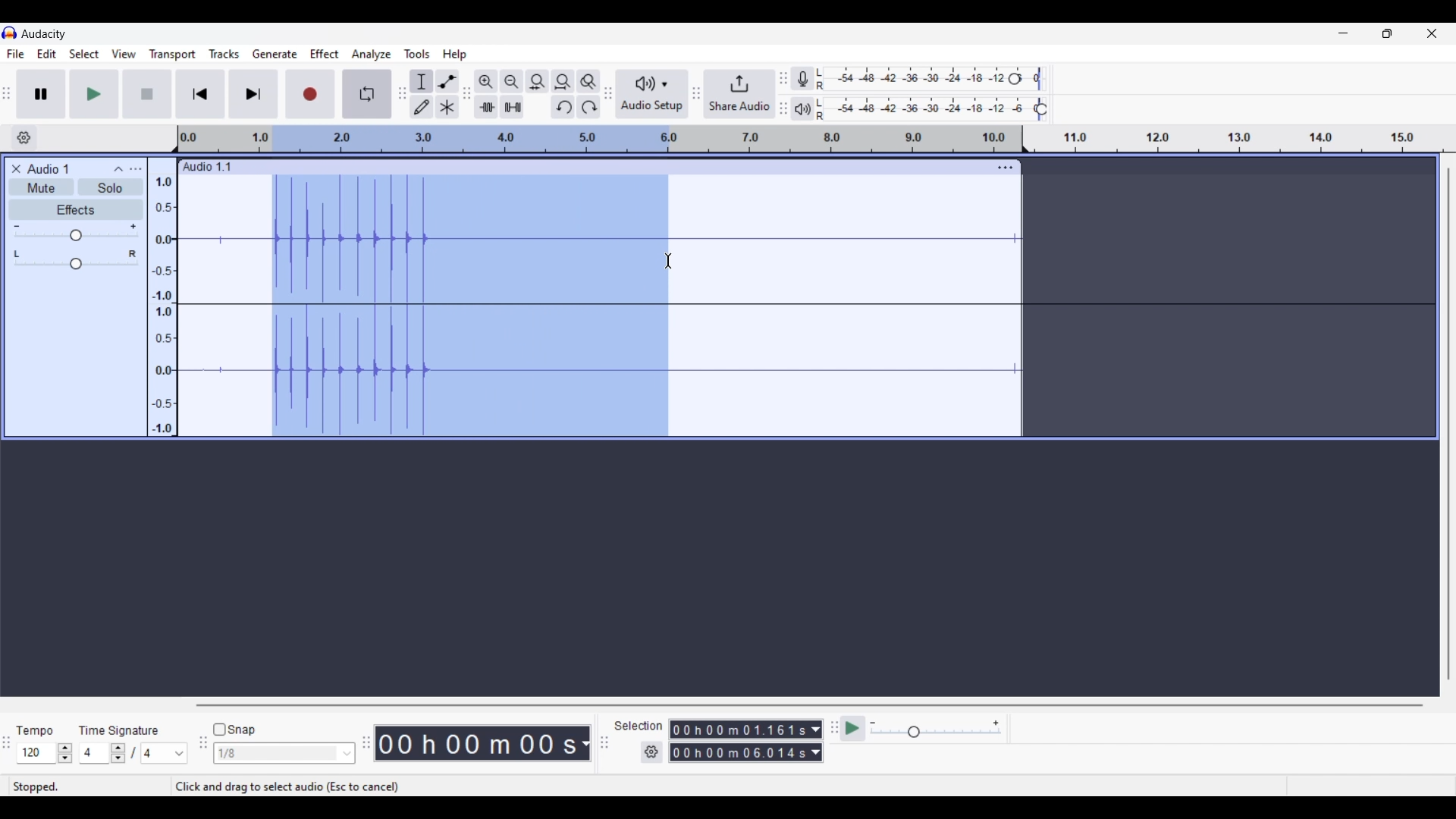 This screenshot has width=1456, height=819. I want to click on Track head, so click(176, 139).